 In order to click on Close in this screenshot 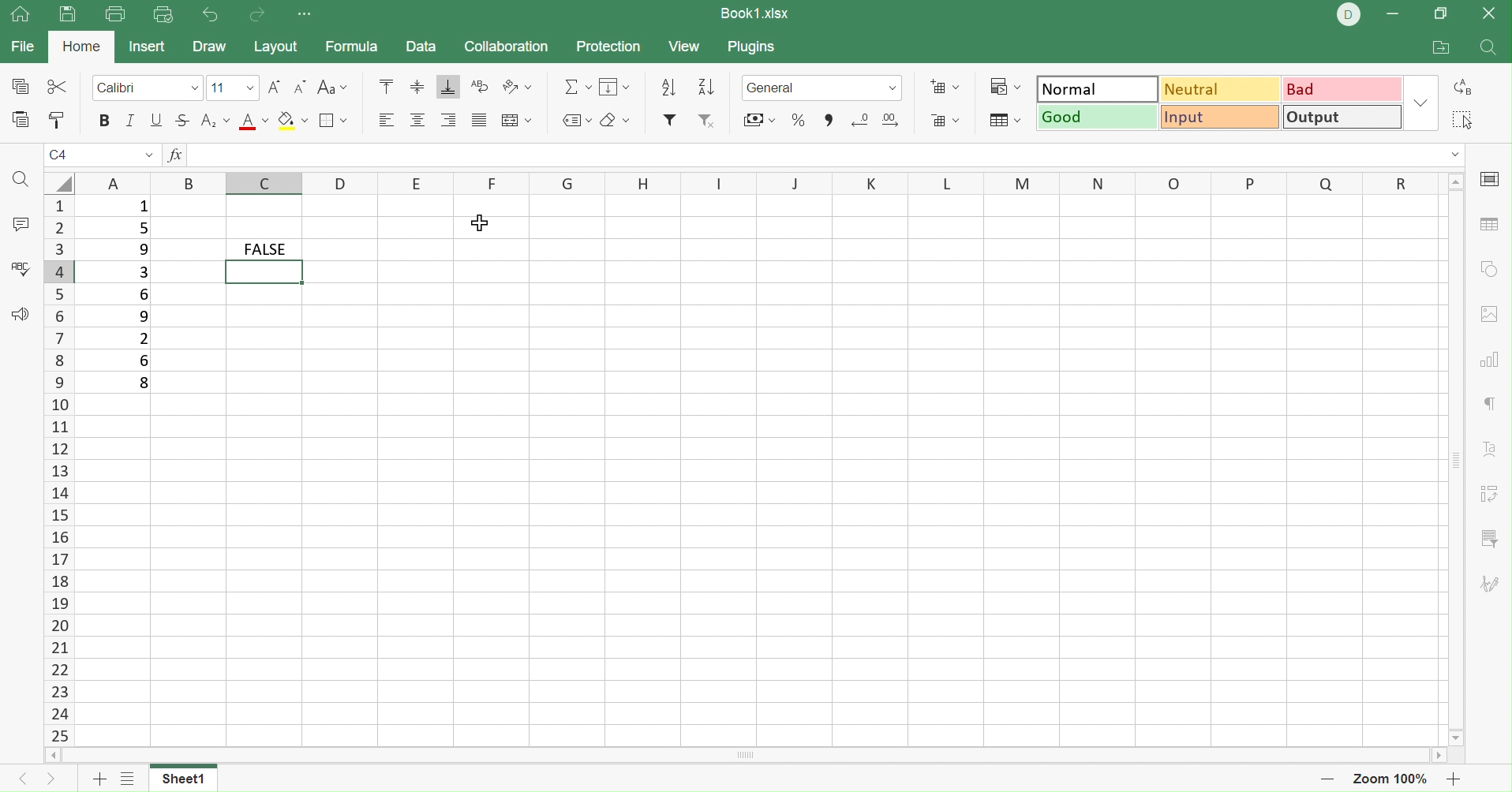, I will do `click(1493, 13)`.